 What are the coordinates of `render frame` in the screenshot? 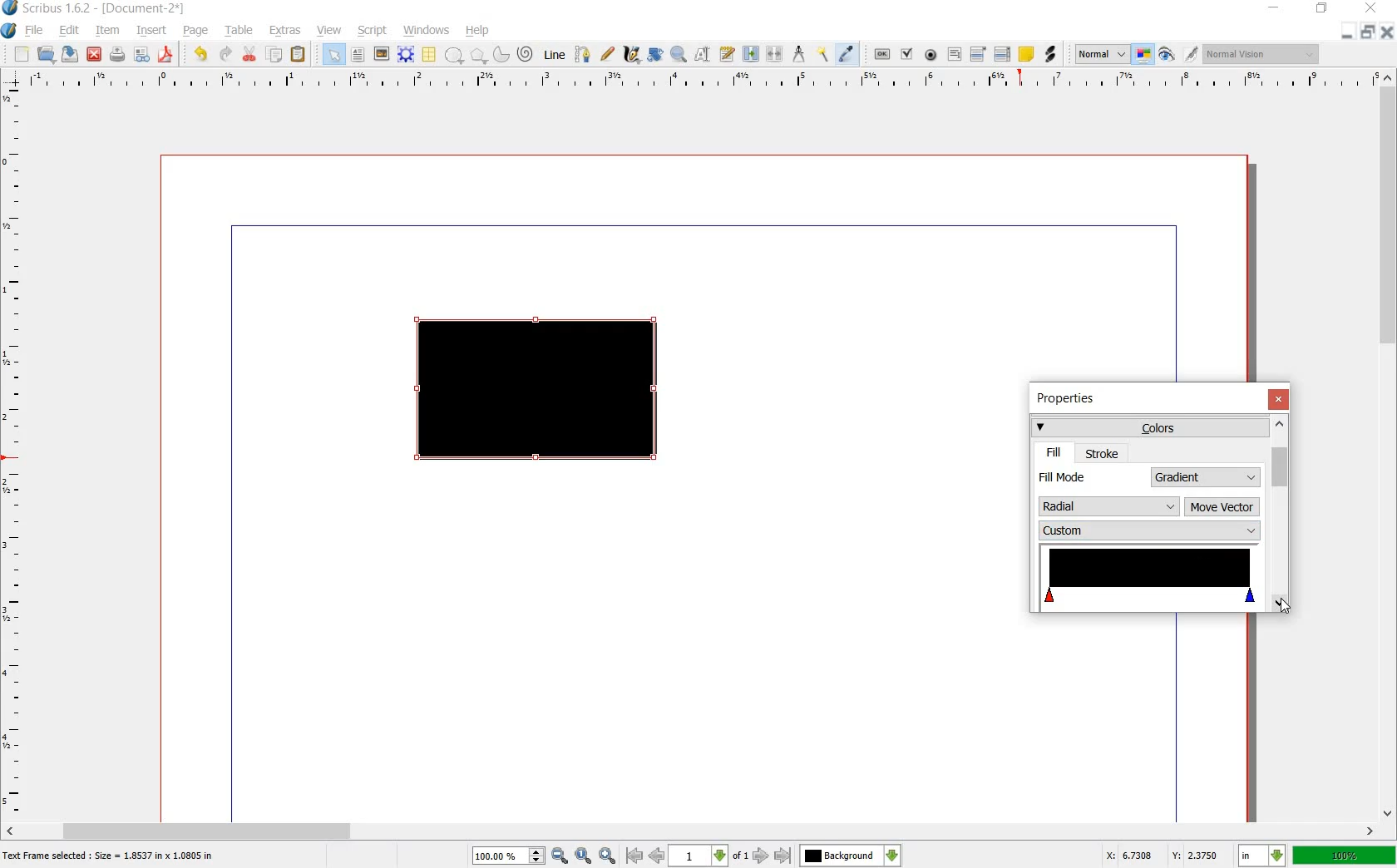 It's located at (406, 55).